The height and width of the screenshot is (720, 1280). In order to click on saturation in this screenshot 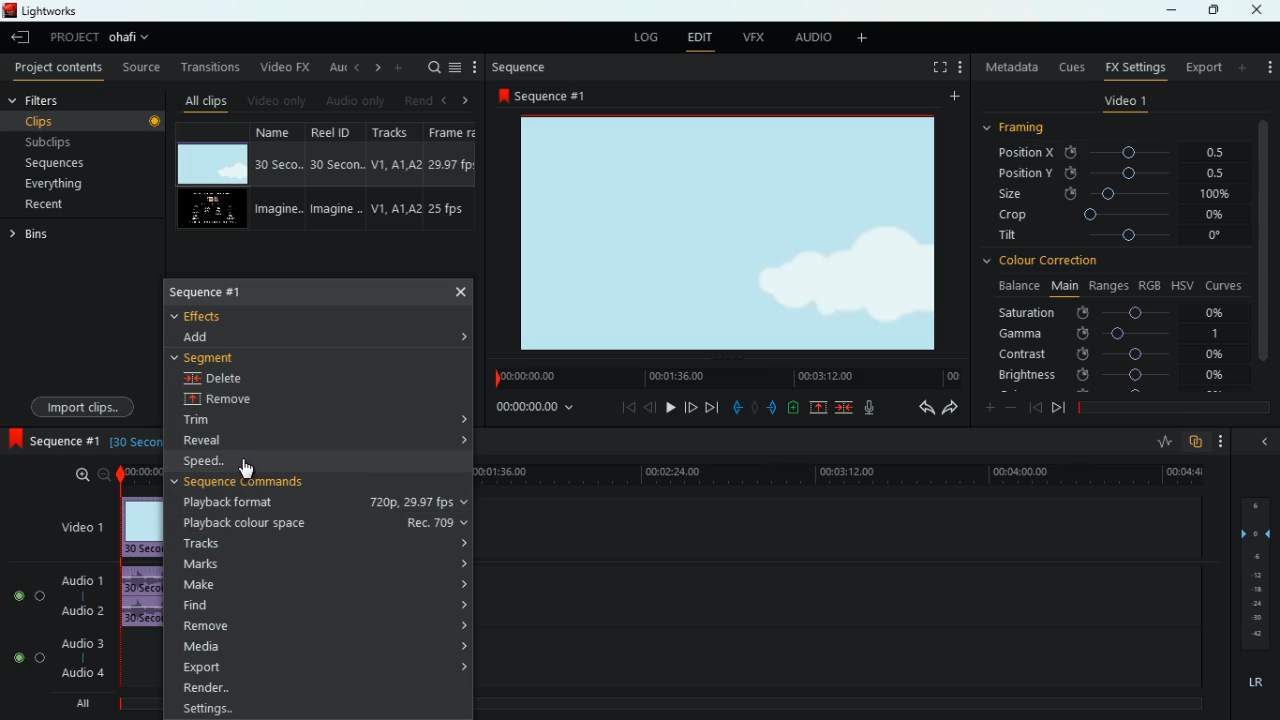, I will do `click(1116, 311)`.